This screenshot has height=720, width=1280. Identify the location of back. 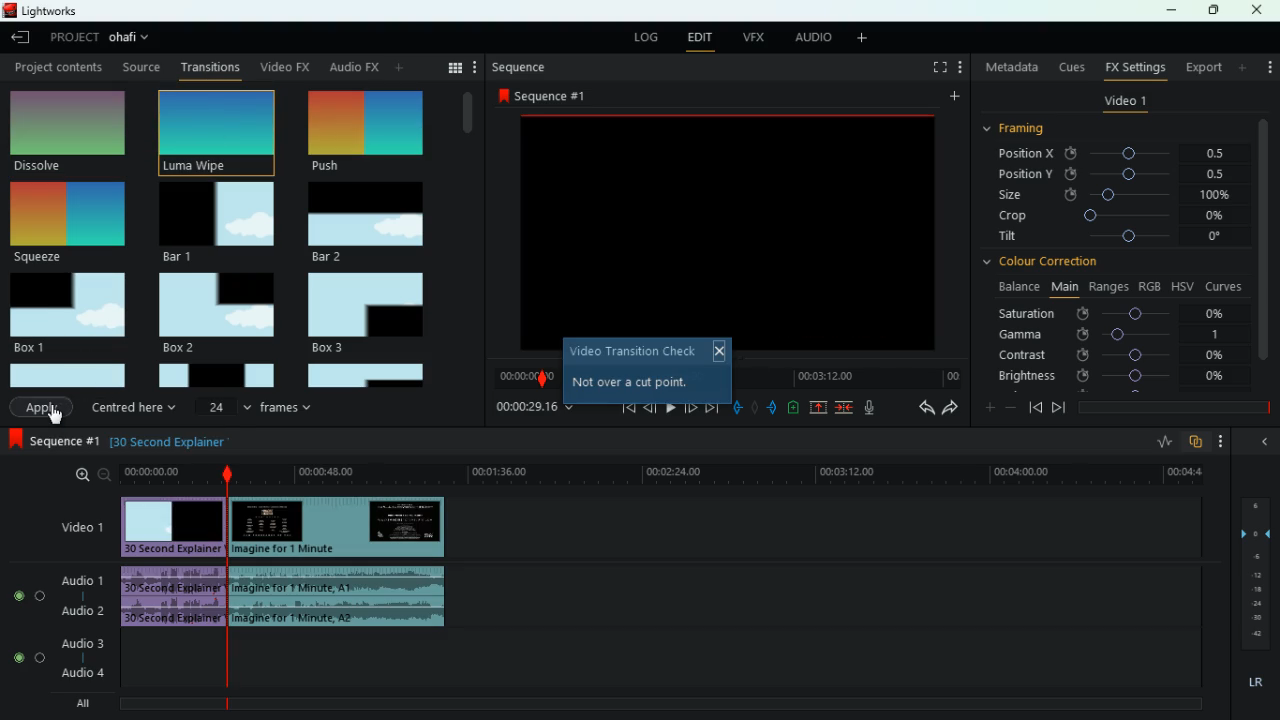
(355, 67).